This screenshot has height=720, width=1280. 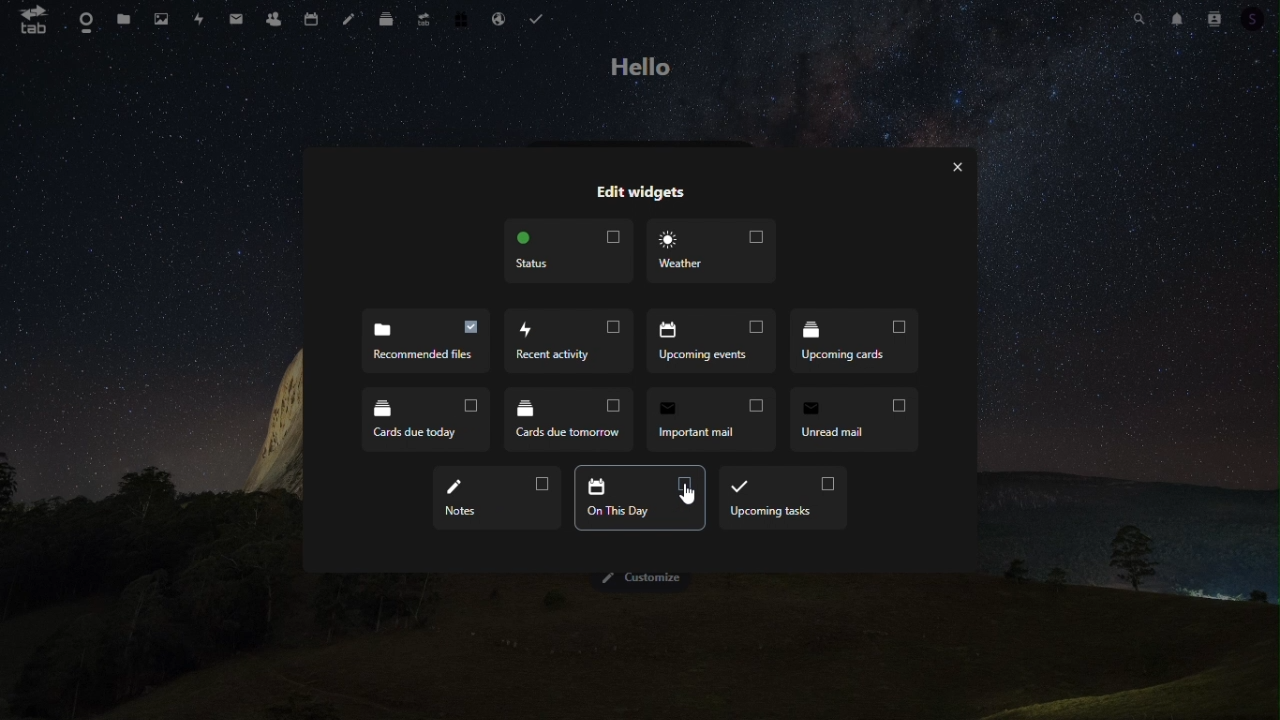 I want to click on weather, so click(x=714, y=250).